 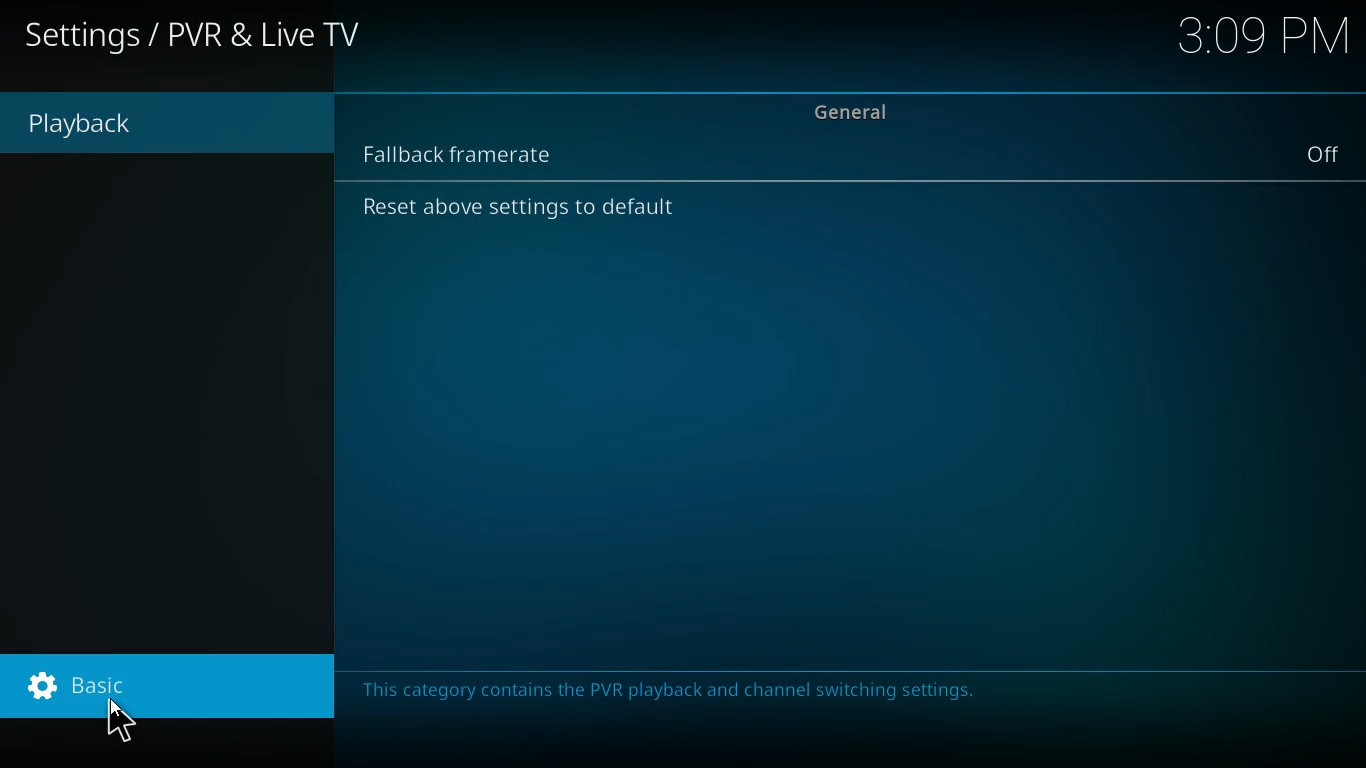 I want to click on settings / pvr & live, so click(x=196, y=38).